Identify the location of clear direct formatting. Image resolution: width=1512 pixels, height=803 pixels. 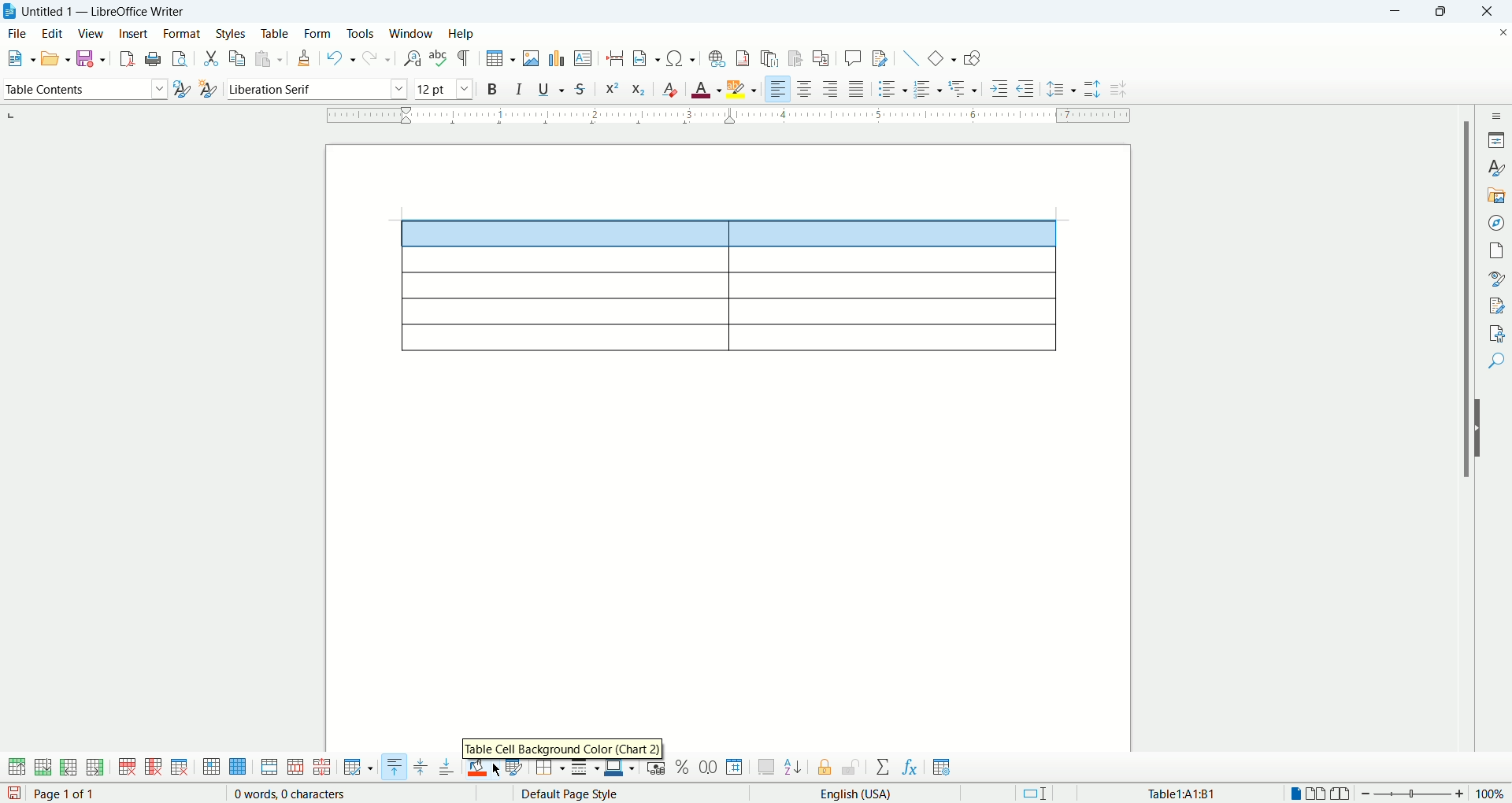
(669, 87).